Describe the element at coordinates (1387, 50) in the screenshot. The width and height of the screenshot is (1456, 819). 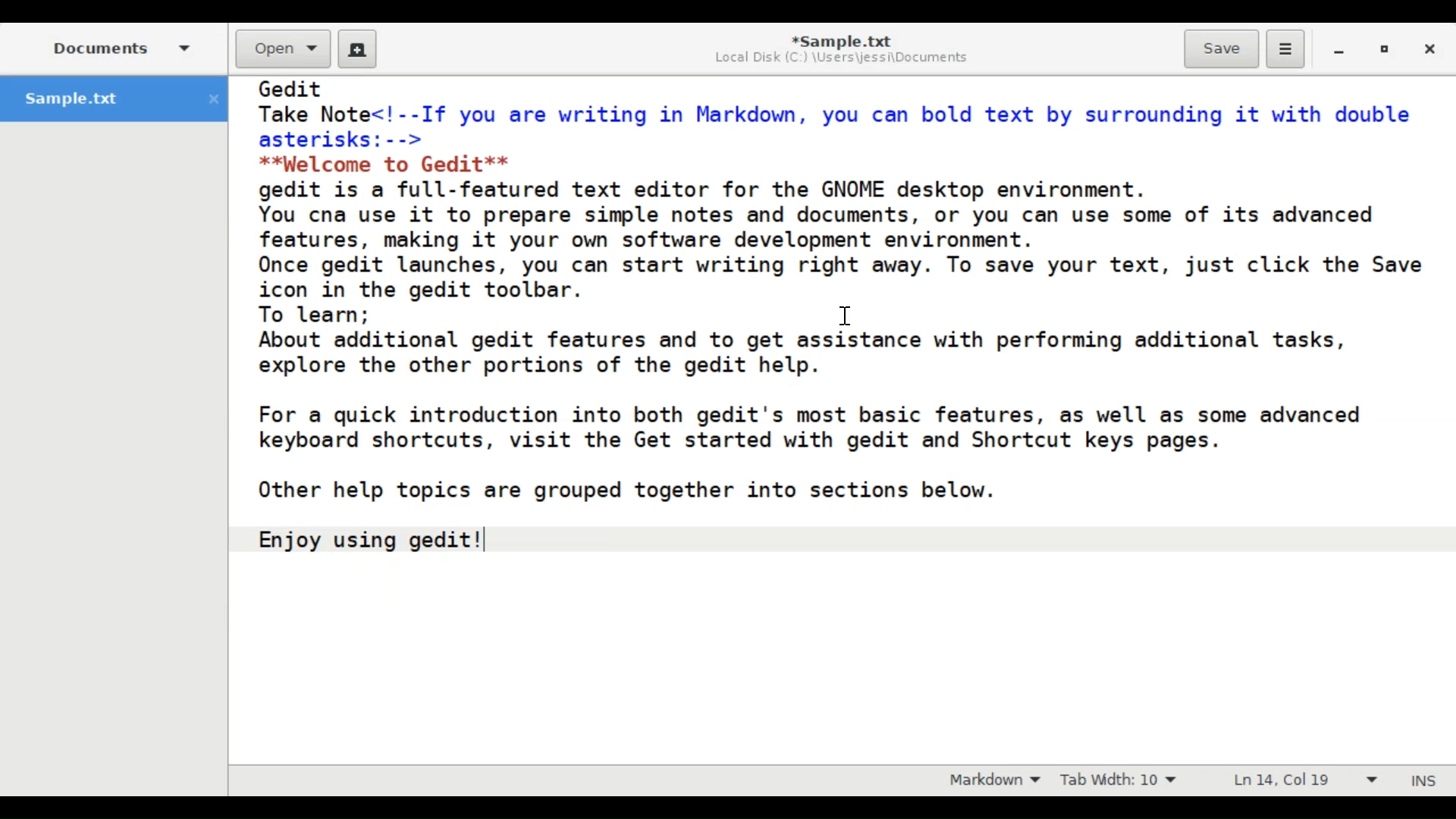
I see `restore` at that location.